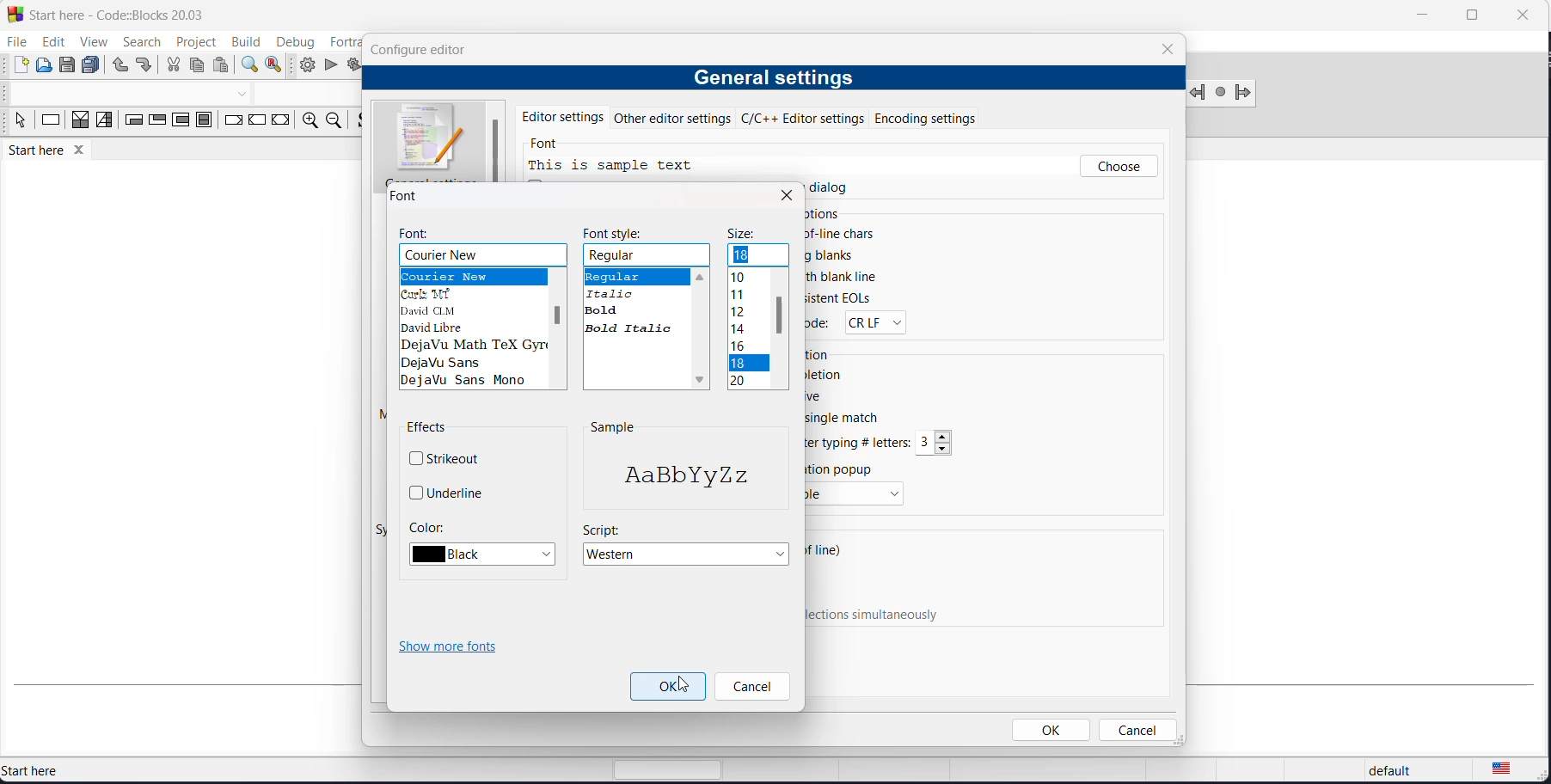 Image resolution: width=1551 pixels, height=784 pixels. Describe the element at coordinates (450, 456) in the screenshot. I see `strikeout checkbox` at that location.